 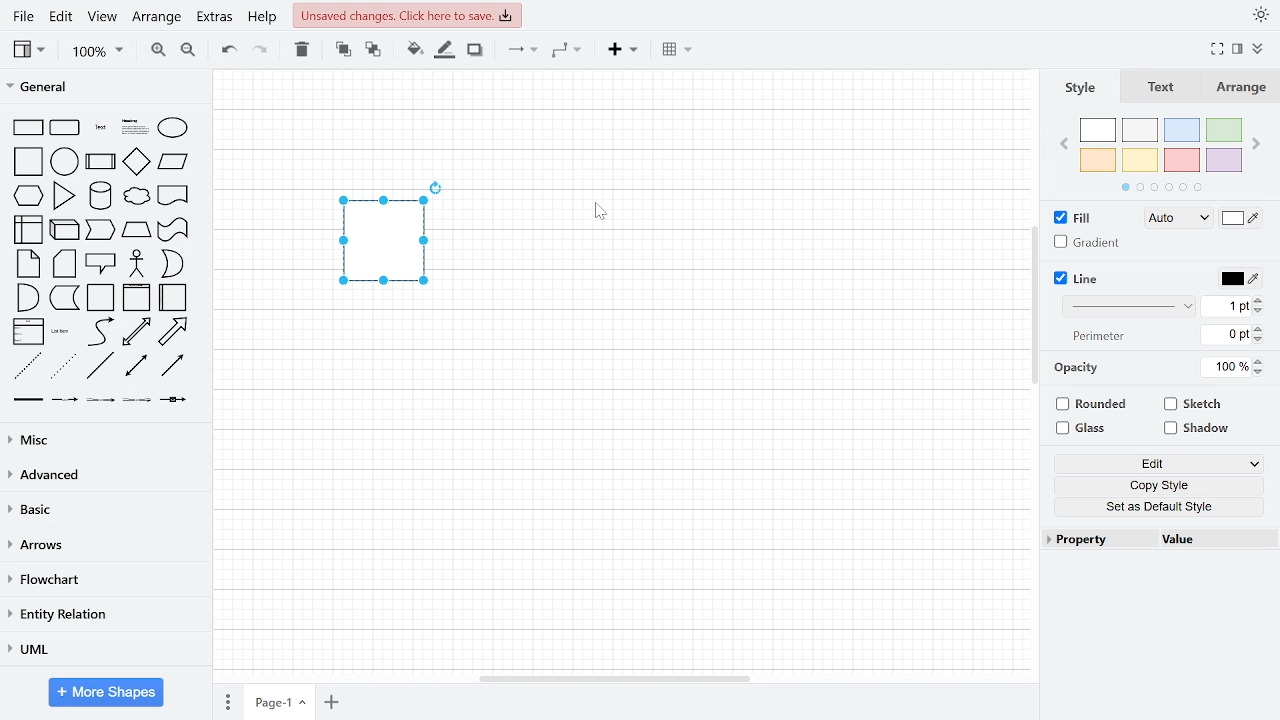 I want to click on fill style, so click(x=1176, y=219).